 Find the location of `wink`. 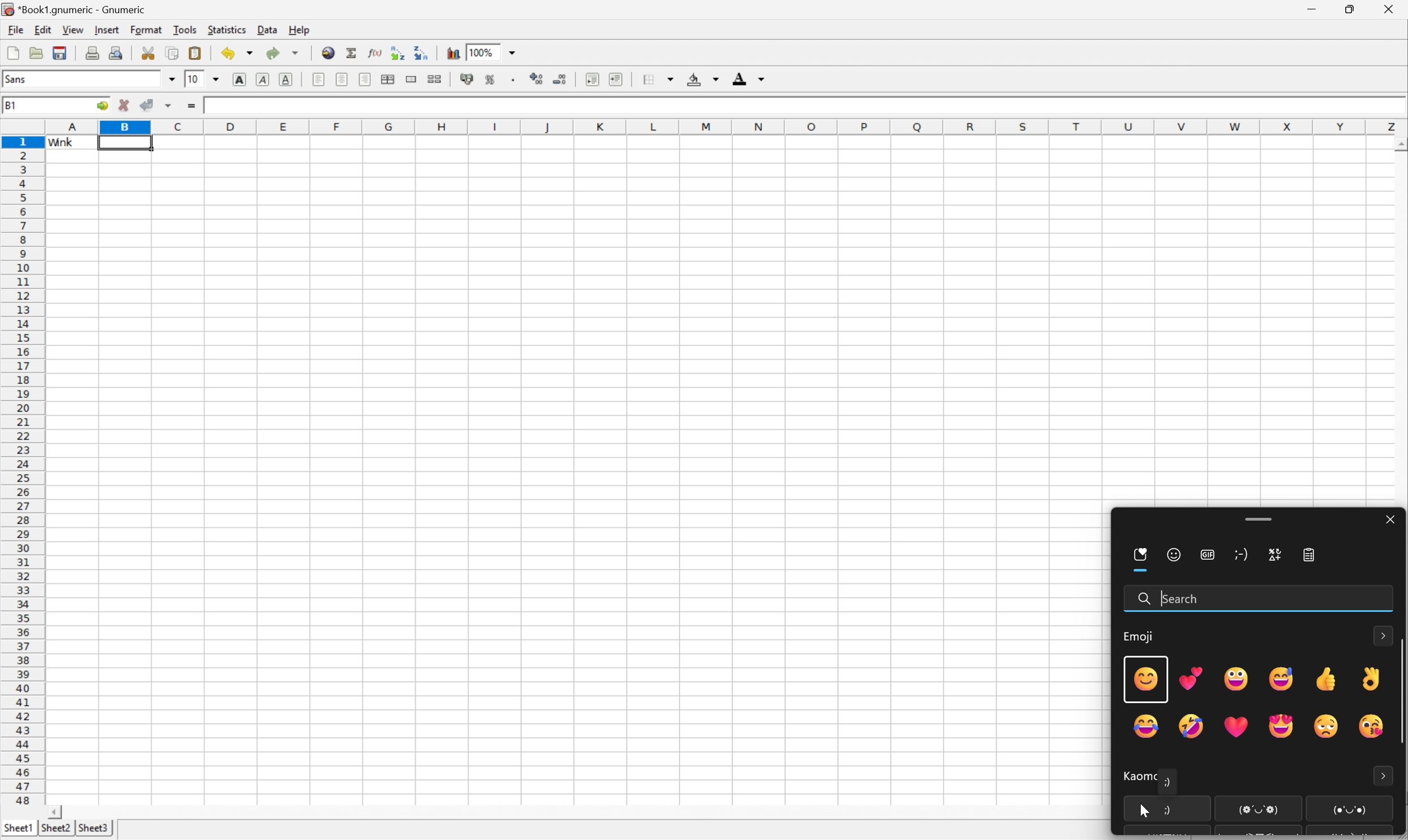

wink is located at coordinates (217, 105).